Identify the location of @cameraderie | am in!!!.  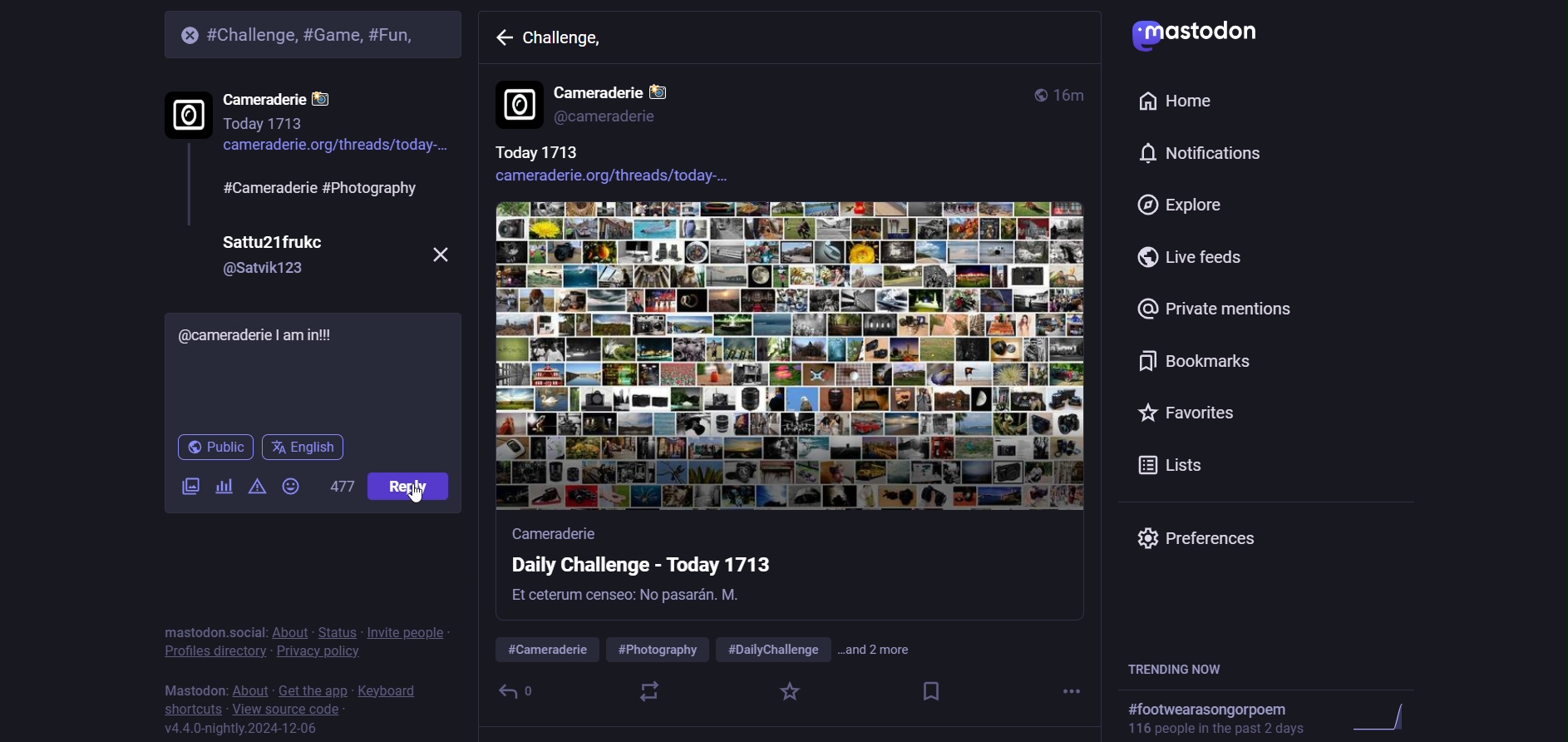
(263, 333).